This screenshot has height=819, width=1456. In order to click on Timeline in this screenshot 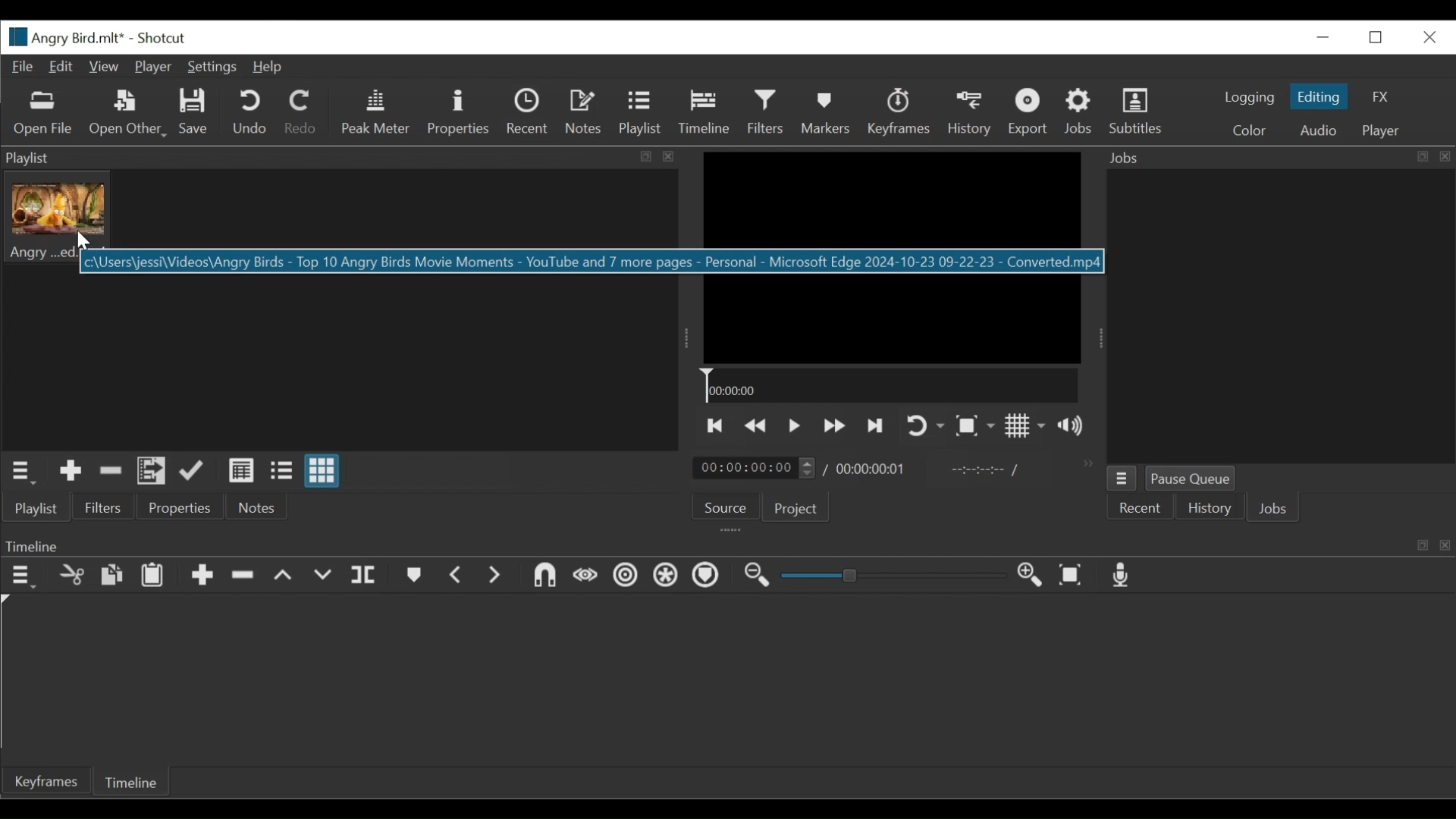, I will do `click(890, 384)`.